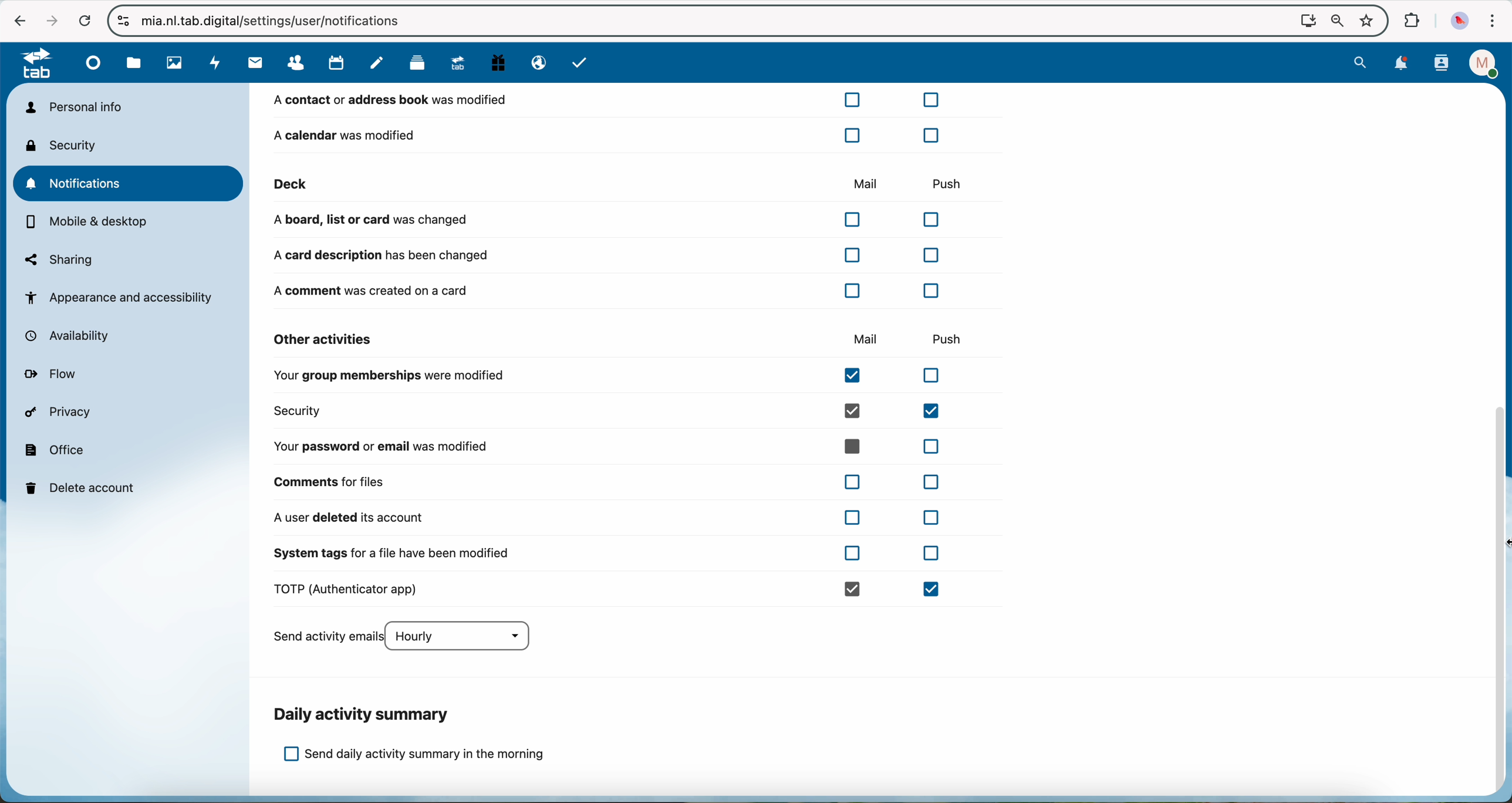 This screenshot has width=1512, height=803. I want to click on a user deleted its account, so click(606, 518).